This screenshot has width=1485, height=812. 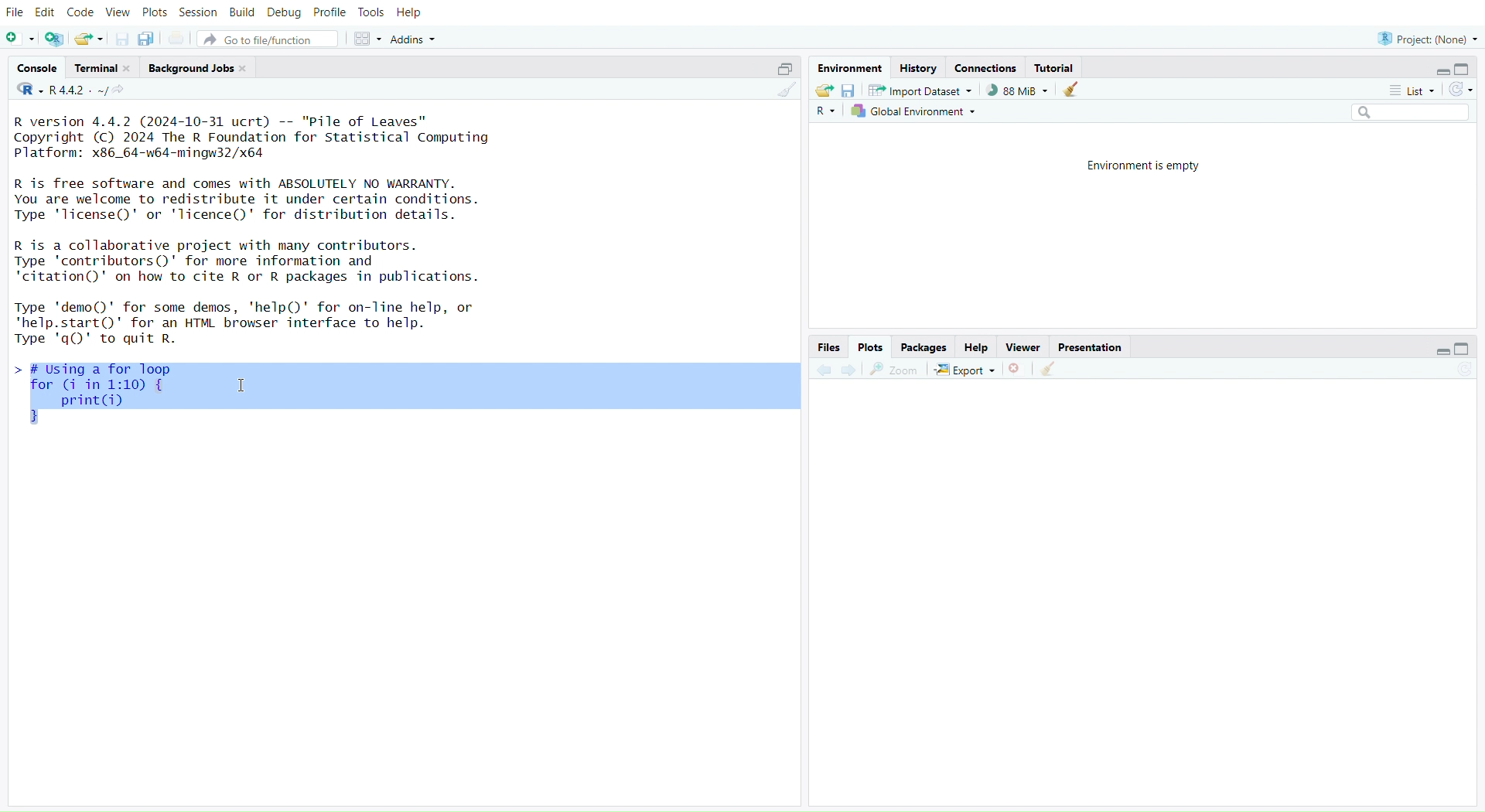 What do you see at coordinates (920, 91) in the screenshot?
I see `import dataset` at bounding box center [920, 91].